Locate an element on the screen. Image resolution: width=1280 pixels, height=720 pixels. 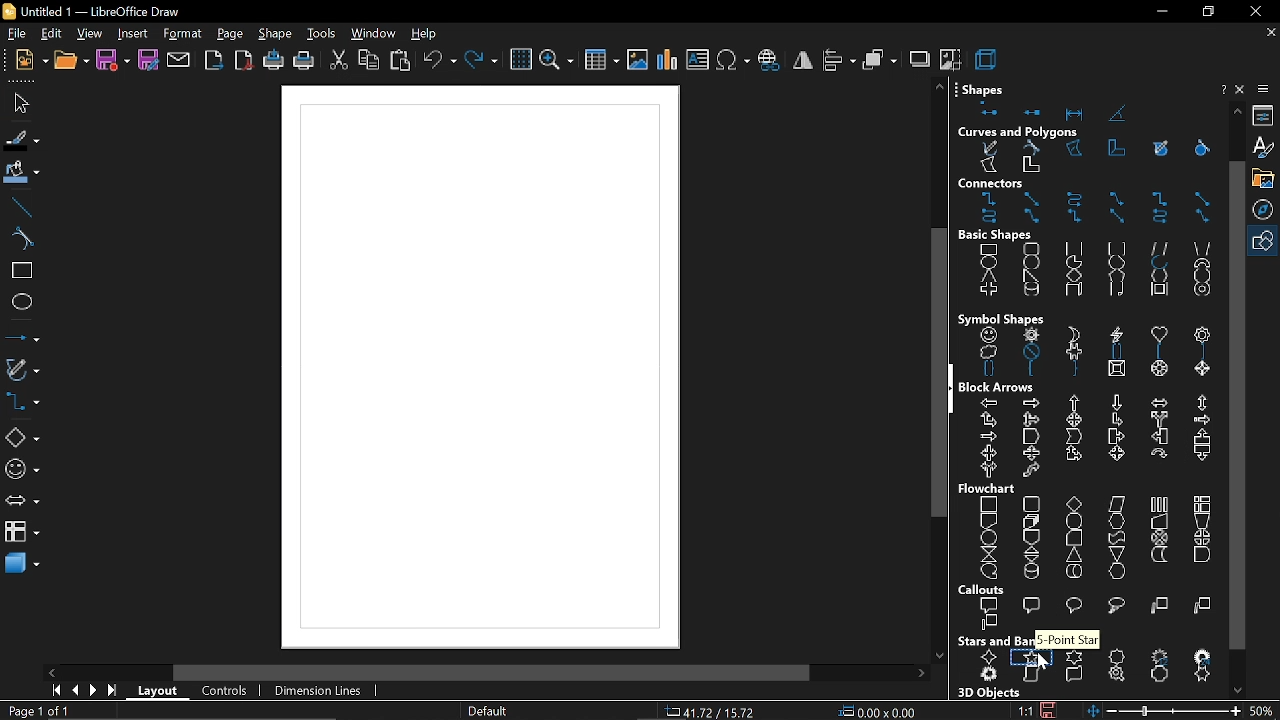
move down  is located at coordinates (940, 655).